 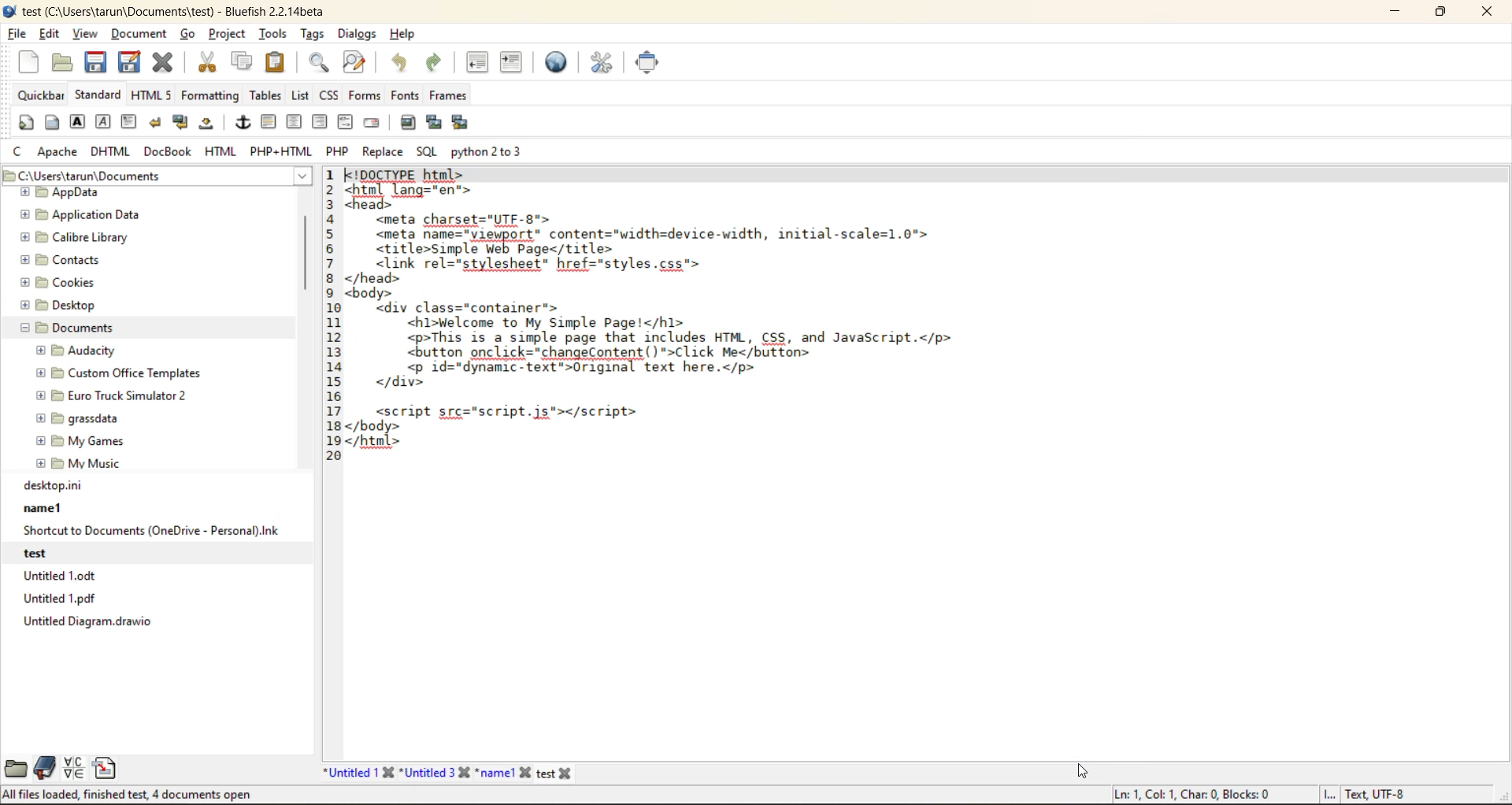 What do you see at coordinates (321, 64) in the screenshot?
I see `find bar` at bounding box center [321, 64].